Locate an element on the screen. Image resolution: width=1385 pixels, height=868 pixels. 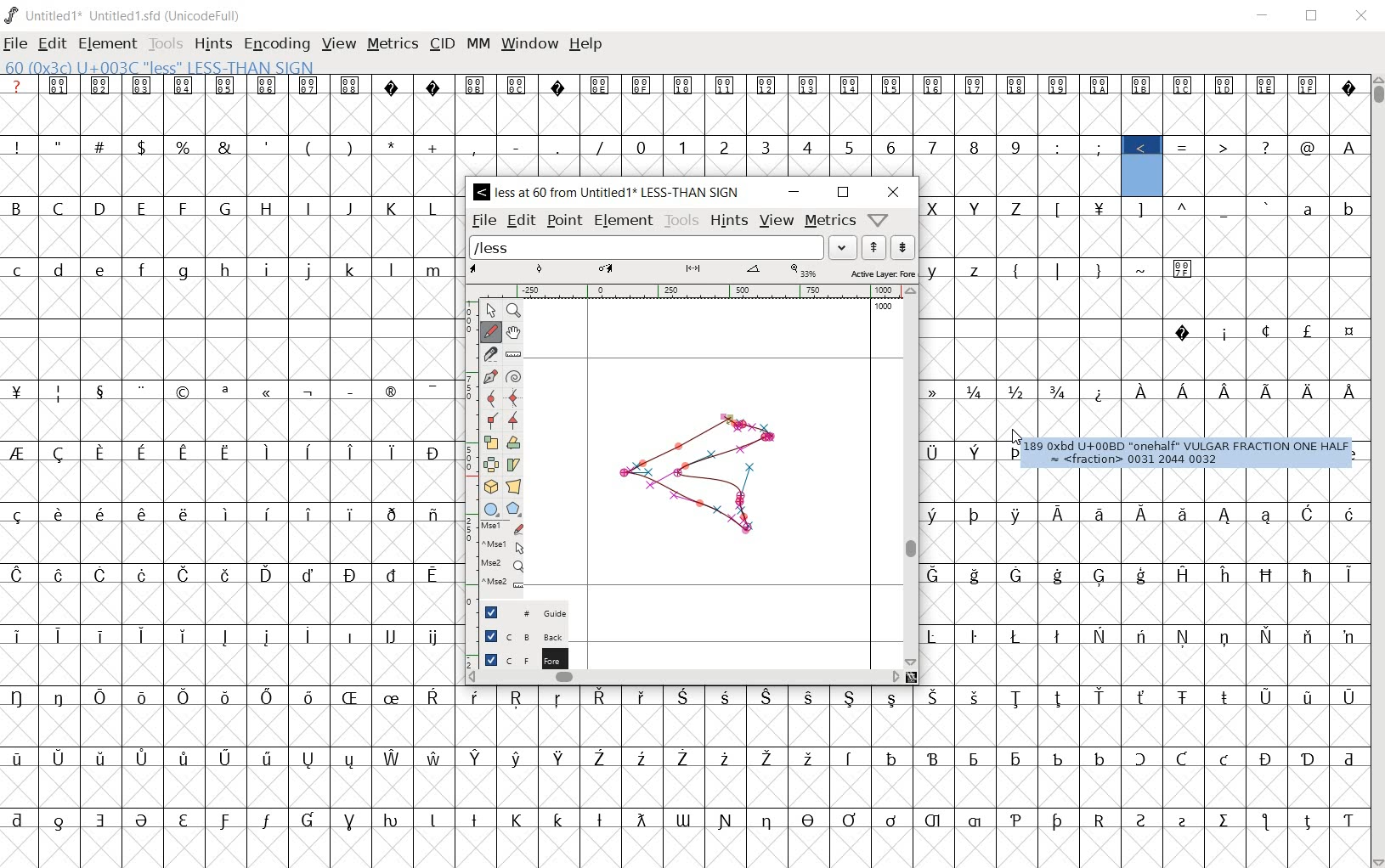
scrollbar is located at coordinates (1377, 470).